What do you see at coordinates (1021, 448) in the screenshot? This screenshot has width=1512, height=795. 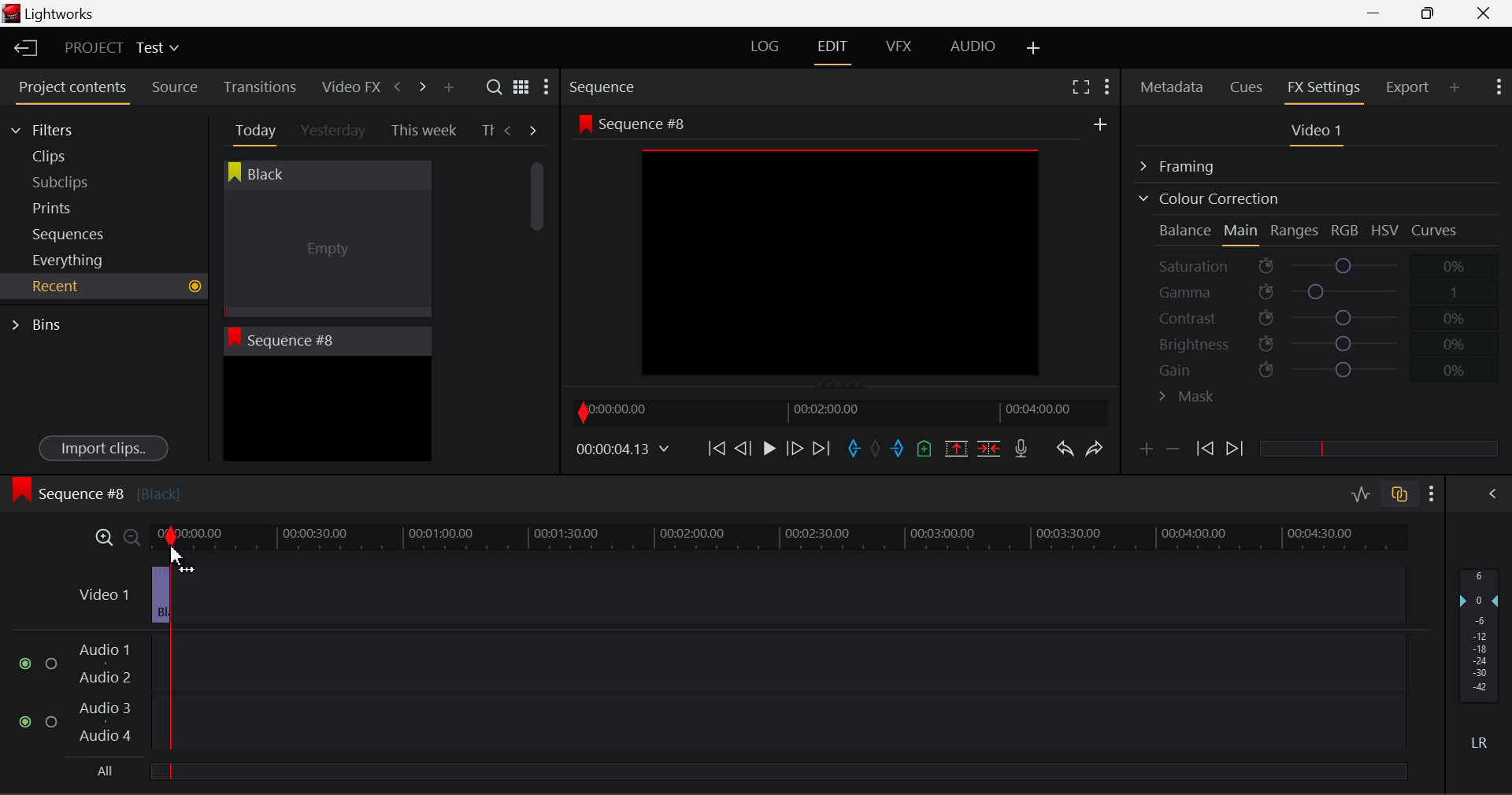 I see `Recrod Voiceover` at bounding box center [1021, 448].